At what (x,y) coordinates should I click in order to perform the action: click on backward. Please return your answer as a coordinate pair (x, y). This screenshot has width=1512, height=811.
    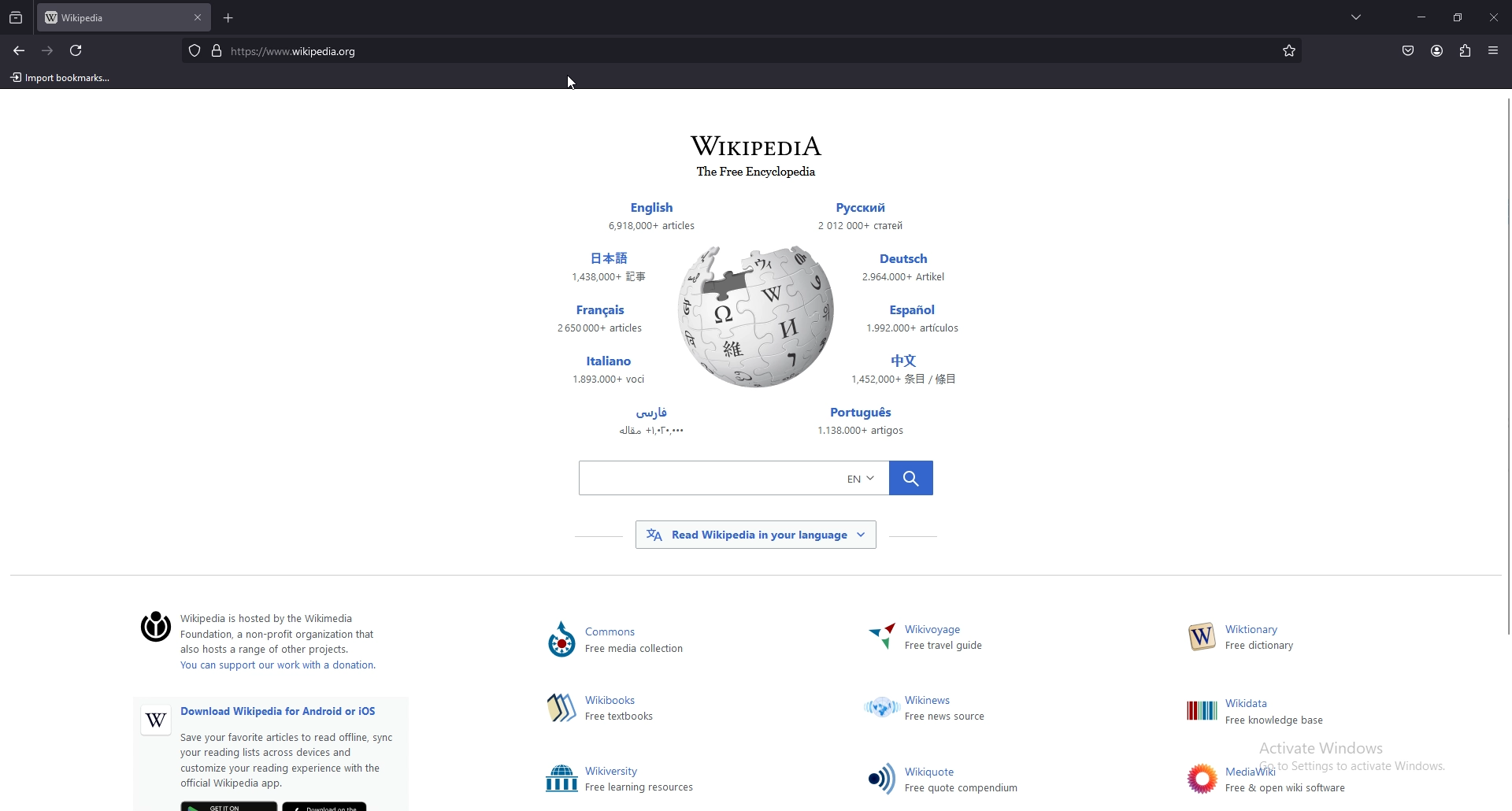
    Looking at the image, I should click on (19, 52).